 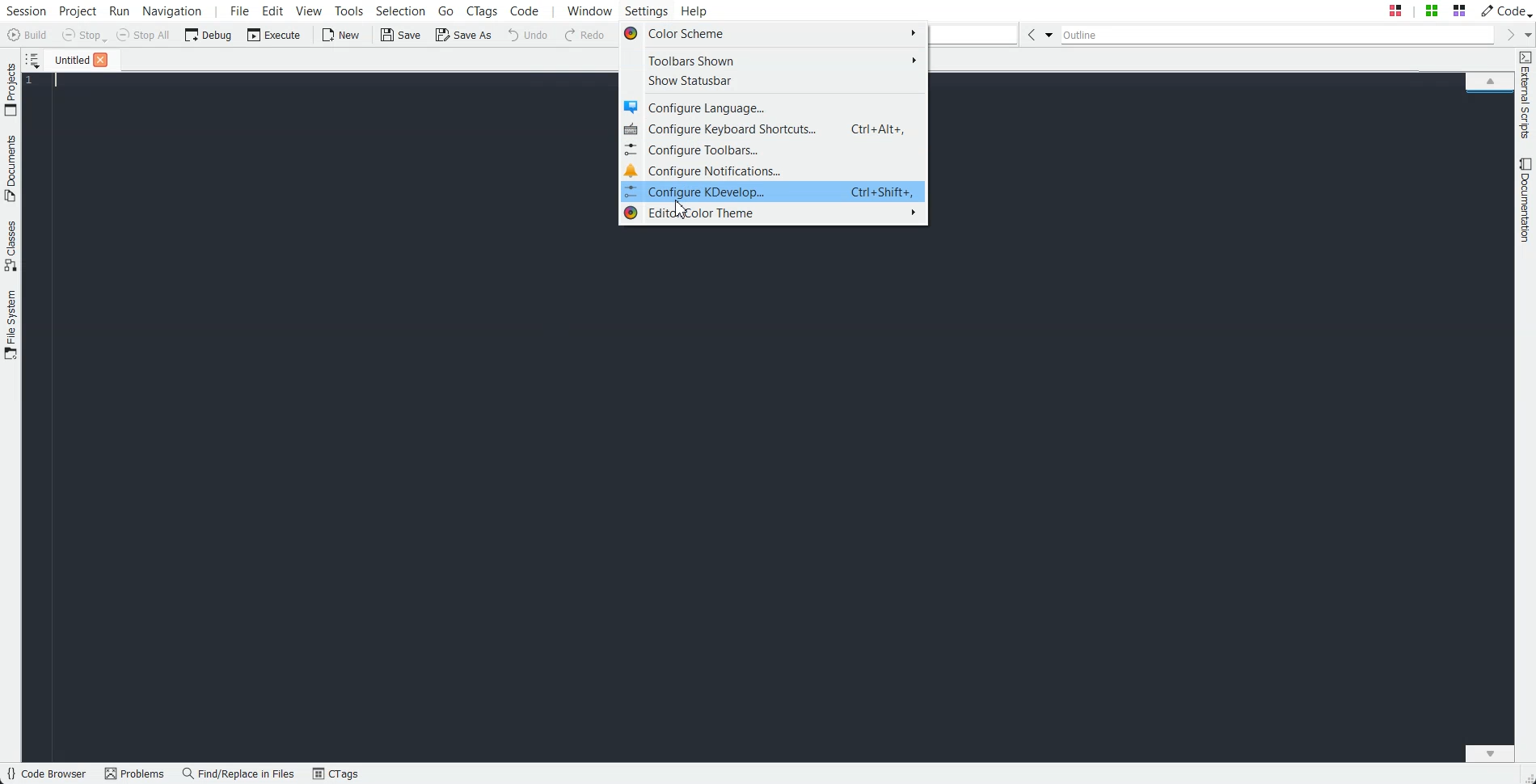 I want to click on Toolbars Shown, so click(x=772, y=59).